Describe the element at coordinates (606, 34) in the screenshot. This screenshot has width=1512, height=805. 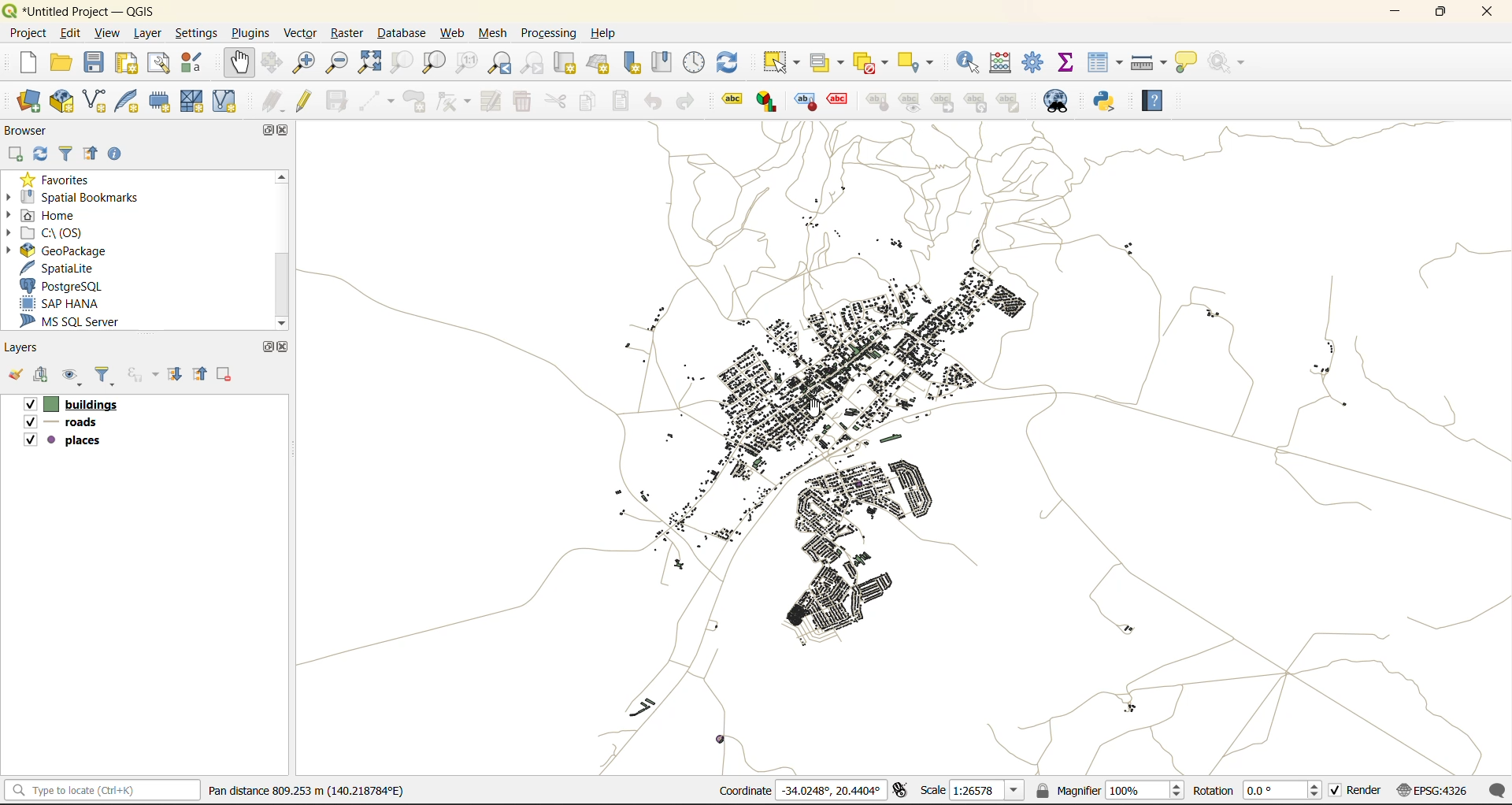
I see `help` at that location.